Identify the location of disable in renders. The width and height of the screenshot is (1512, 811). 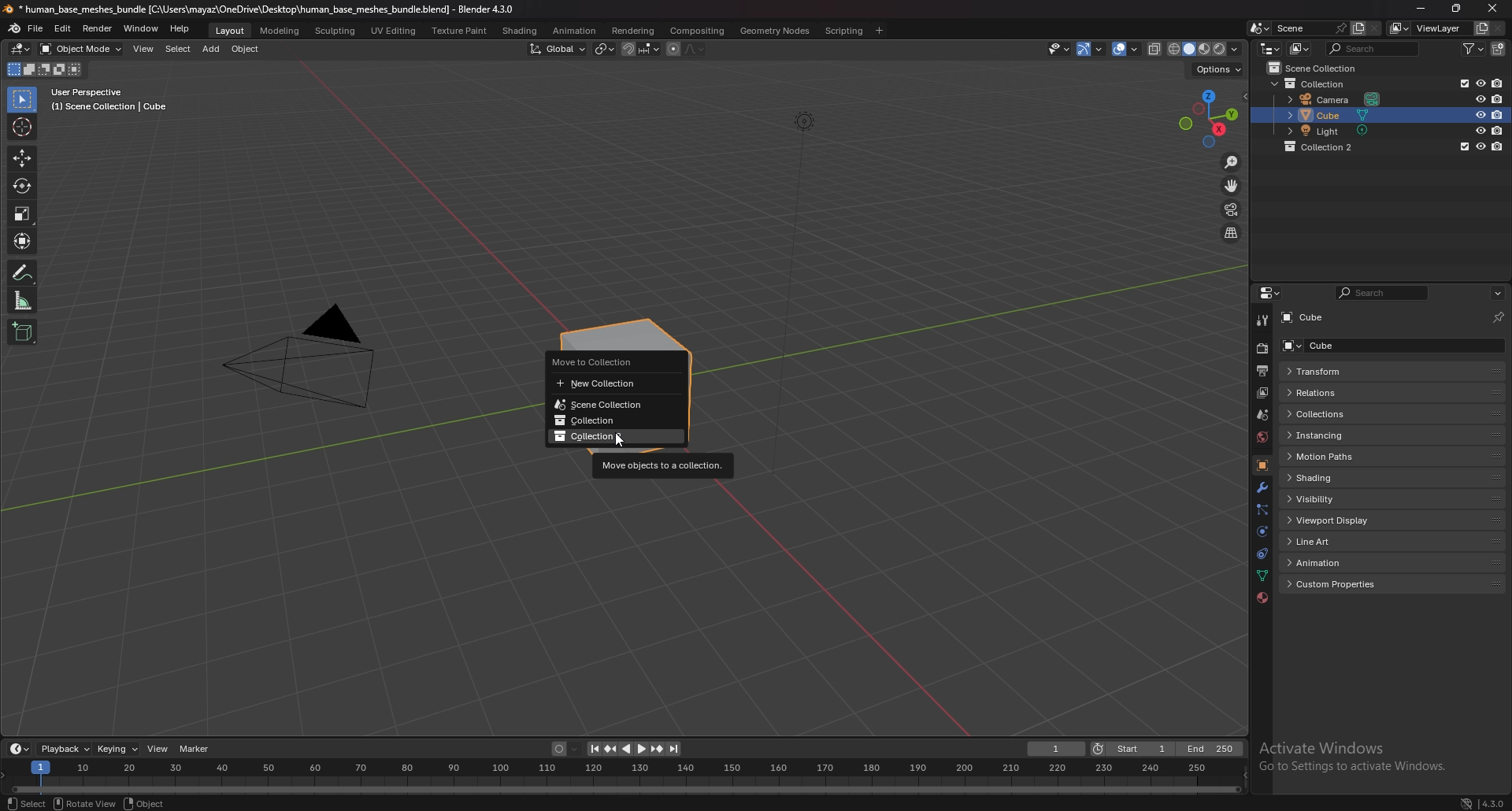
(1499, 99).